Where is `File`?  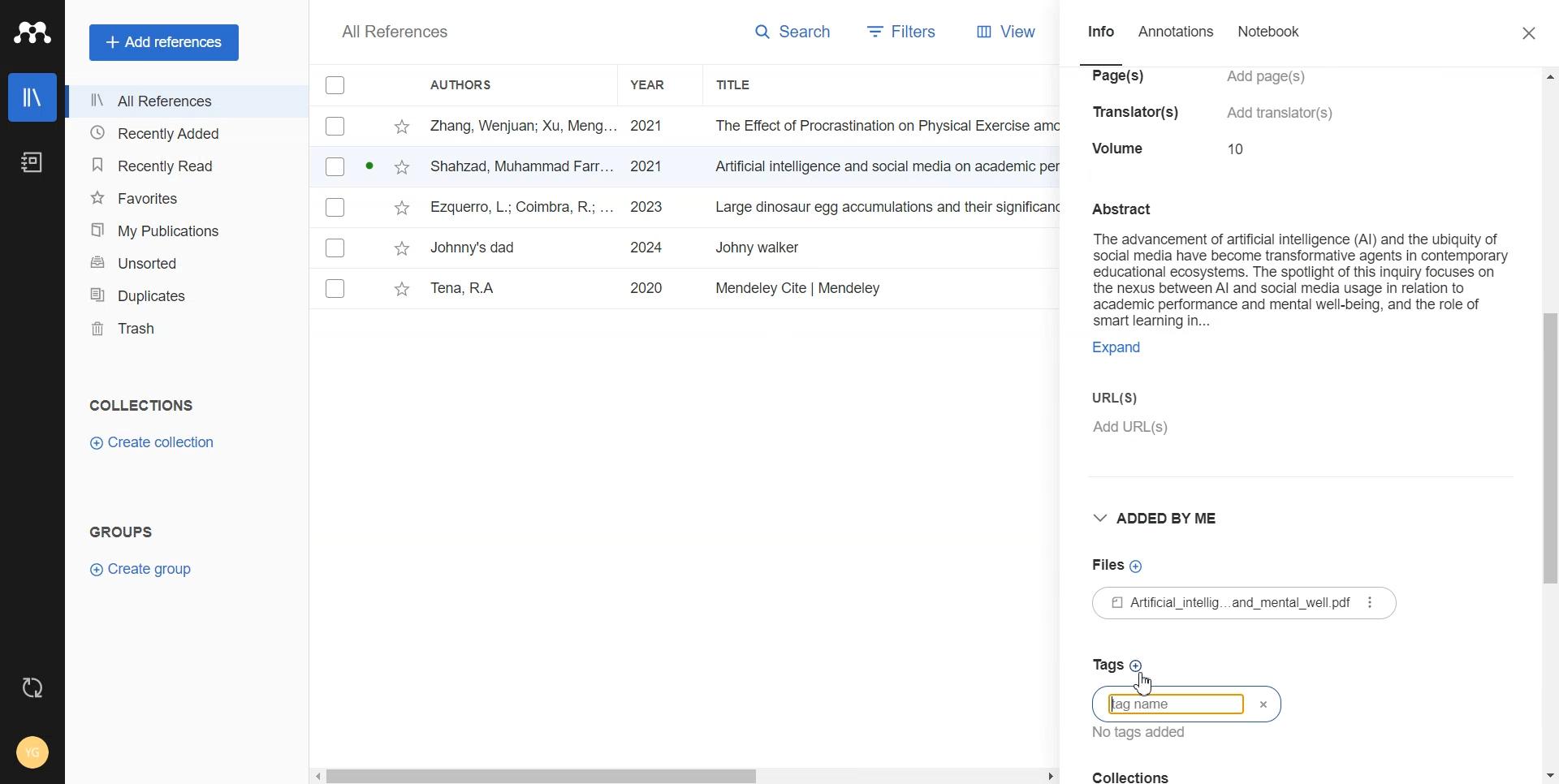
File is located at coordinates (687, 167).